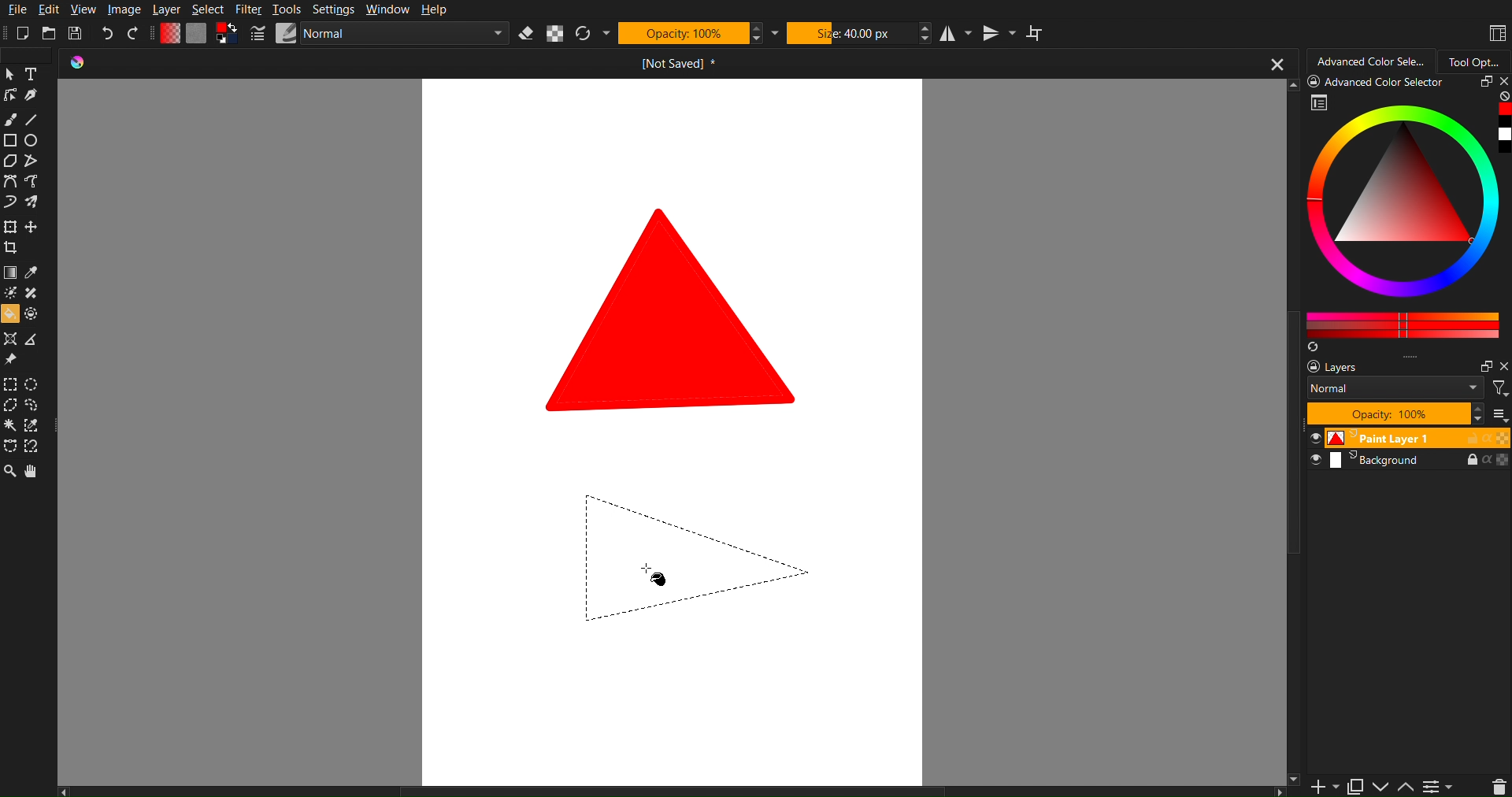 The height and width of the screenshot is (797, 1512). I want to click on Current Document, so click(683, 66).